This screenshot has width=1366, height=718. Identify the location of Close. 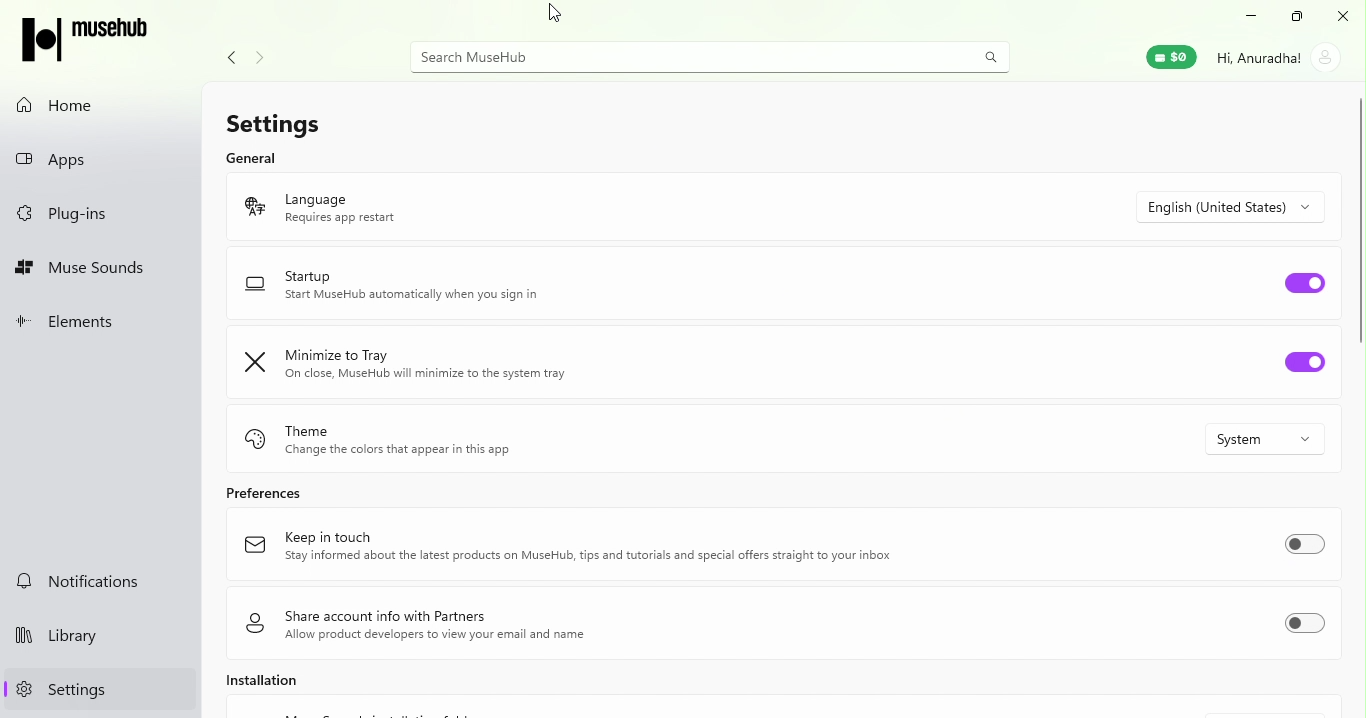
(1342, 15).